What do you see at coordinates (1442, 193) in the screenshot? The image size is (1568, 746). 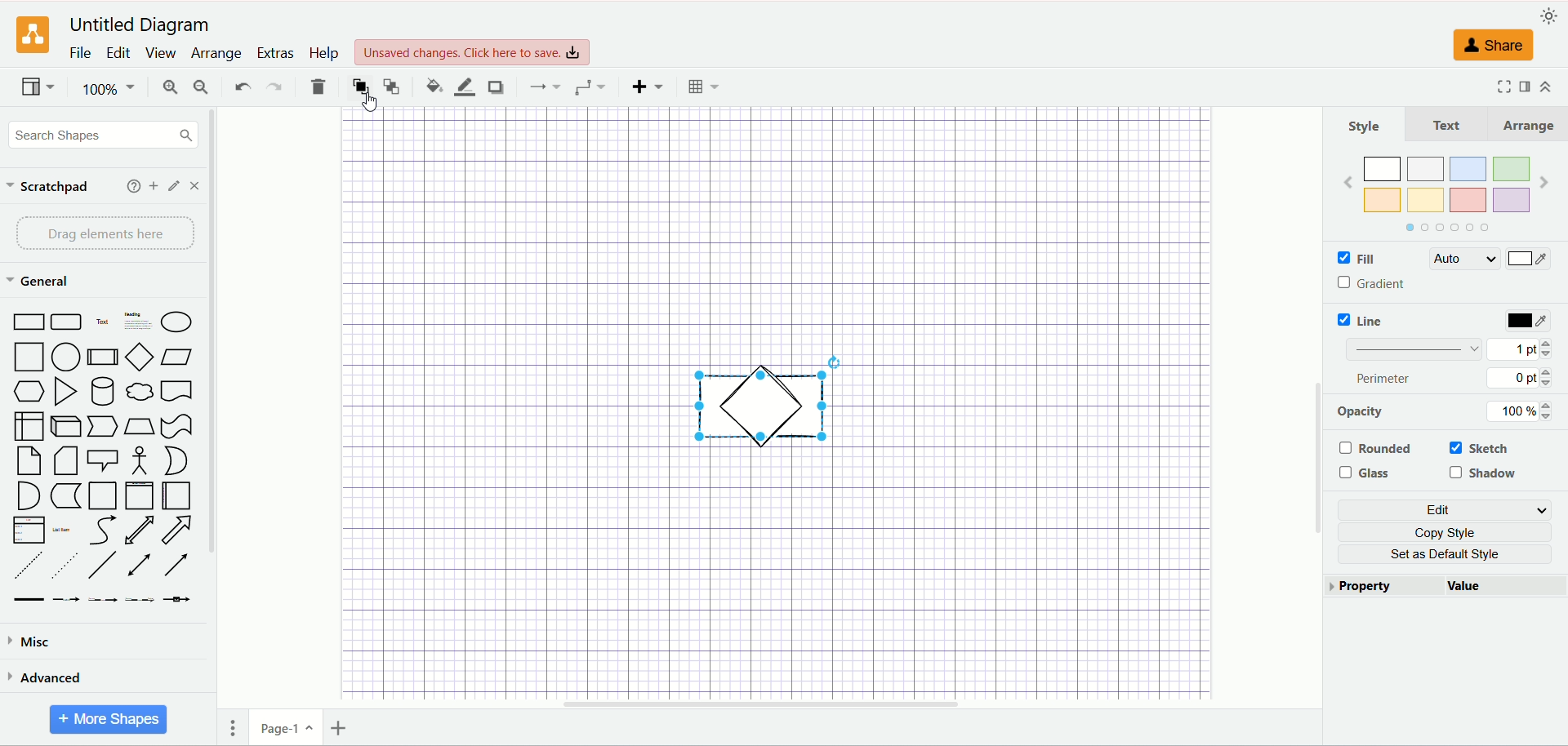 I see `color Shapes` at bounding box center [1442, 193].